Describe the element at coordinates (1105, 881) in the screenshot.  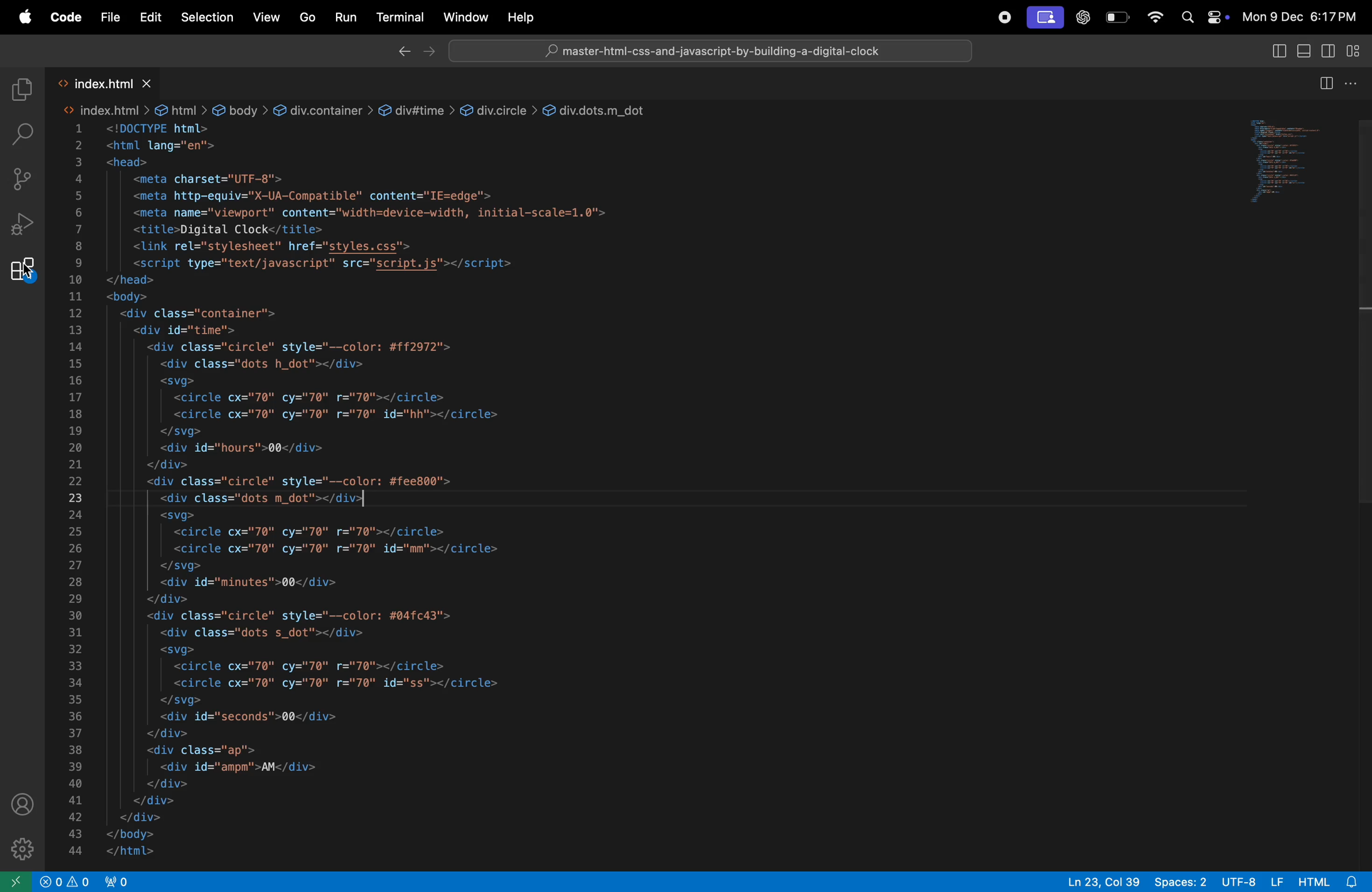
I see `Ln 32 col 39` at that location.